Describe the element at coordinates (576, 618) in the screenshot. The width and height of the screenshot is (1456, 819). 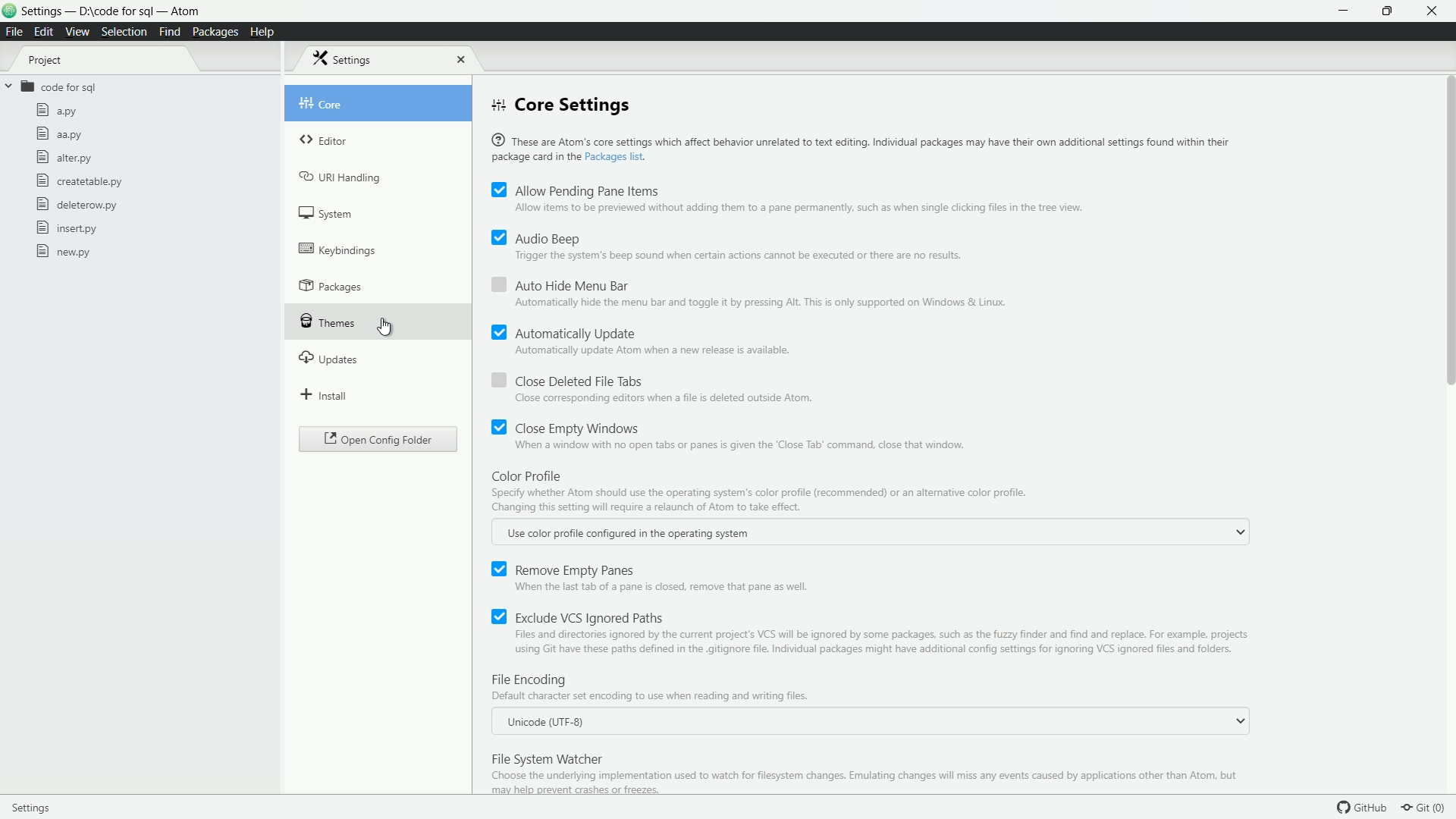
I see `exclude vcs ignored paths` at that location.